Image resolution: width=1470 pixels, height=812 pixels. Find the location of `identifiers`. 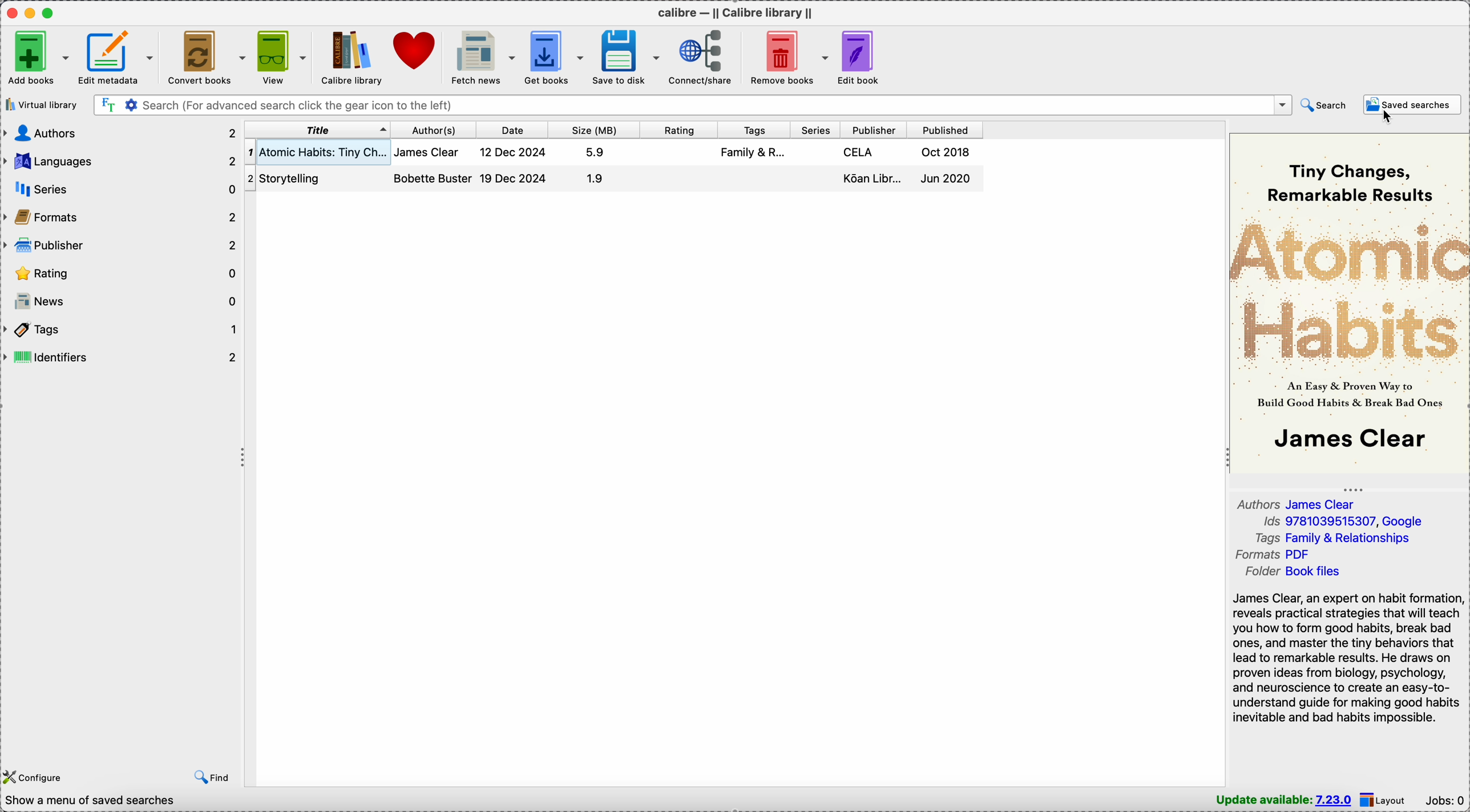

identifiers is located at coordinates (122, 357).